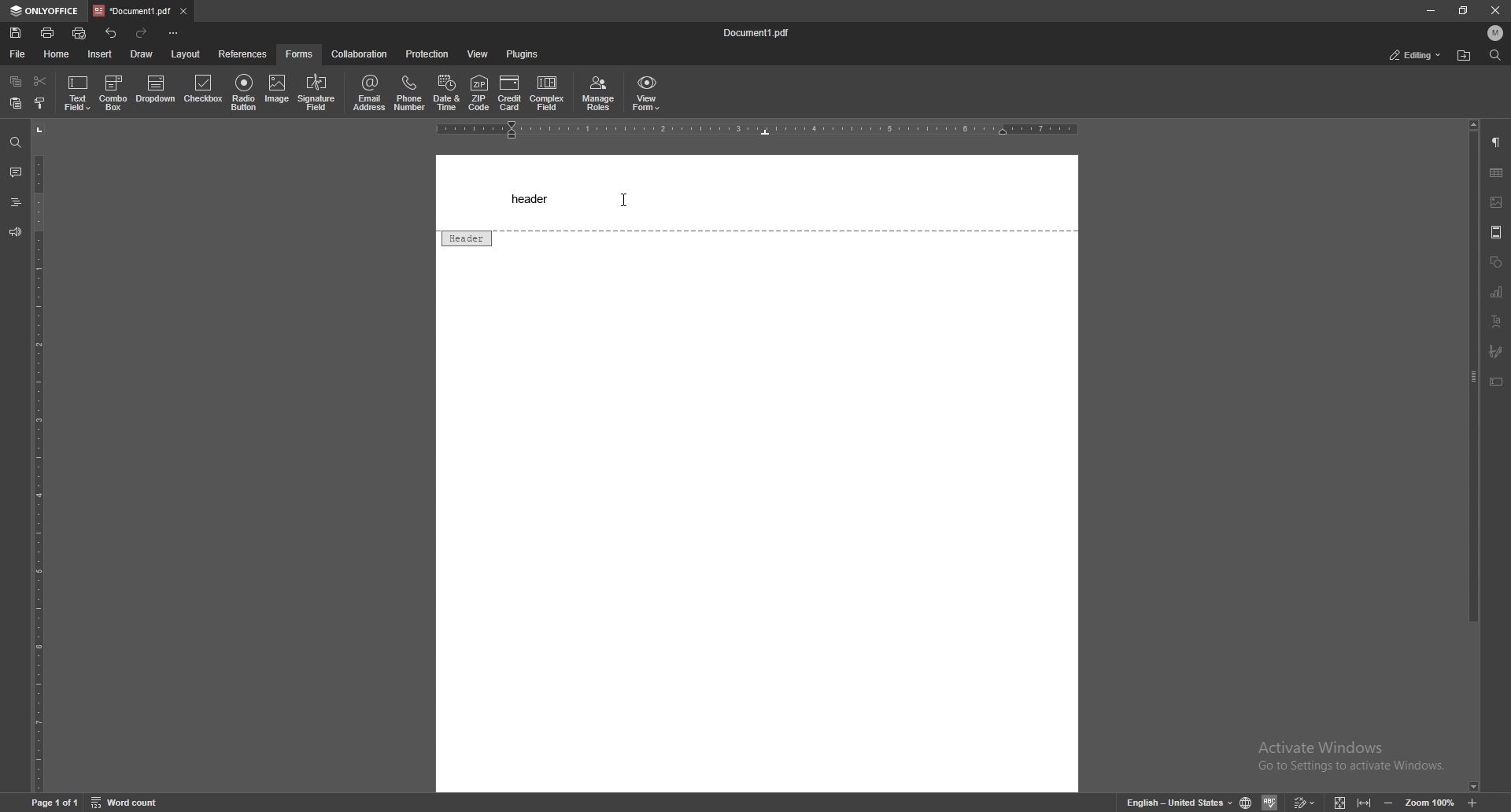  I want to click on paste, so click(16, 103).